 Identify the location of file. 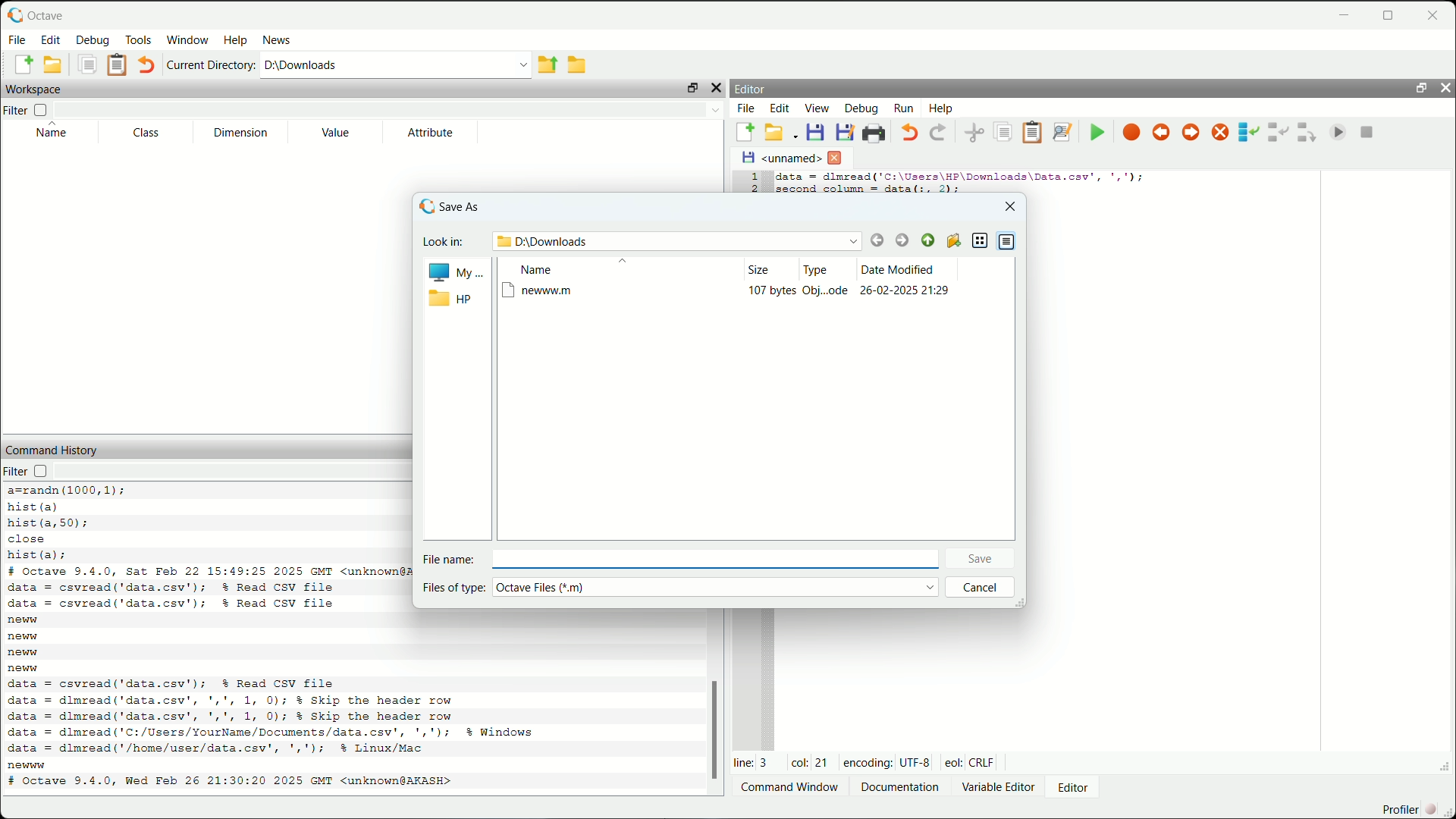
(744, 110).